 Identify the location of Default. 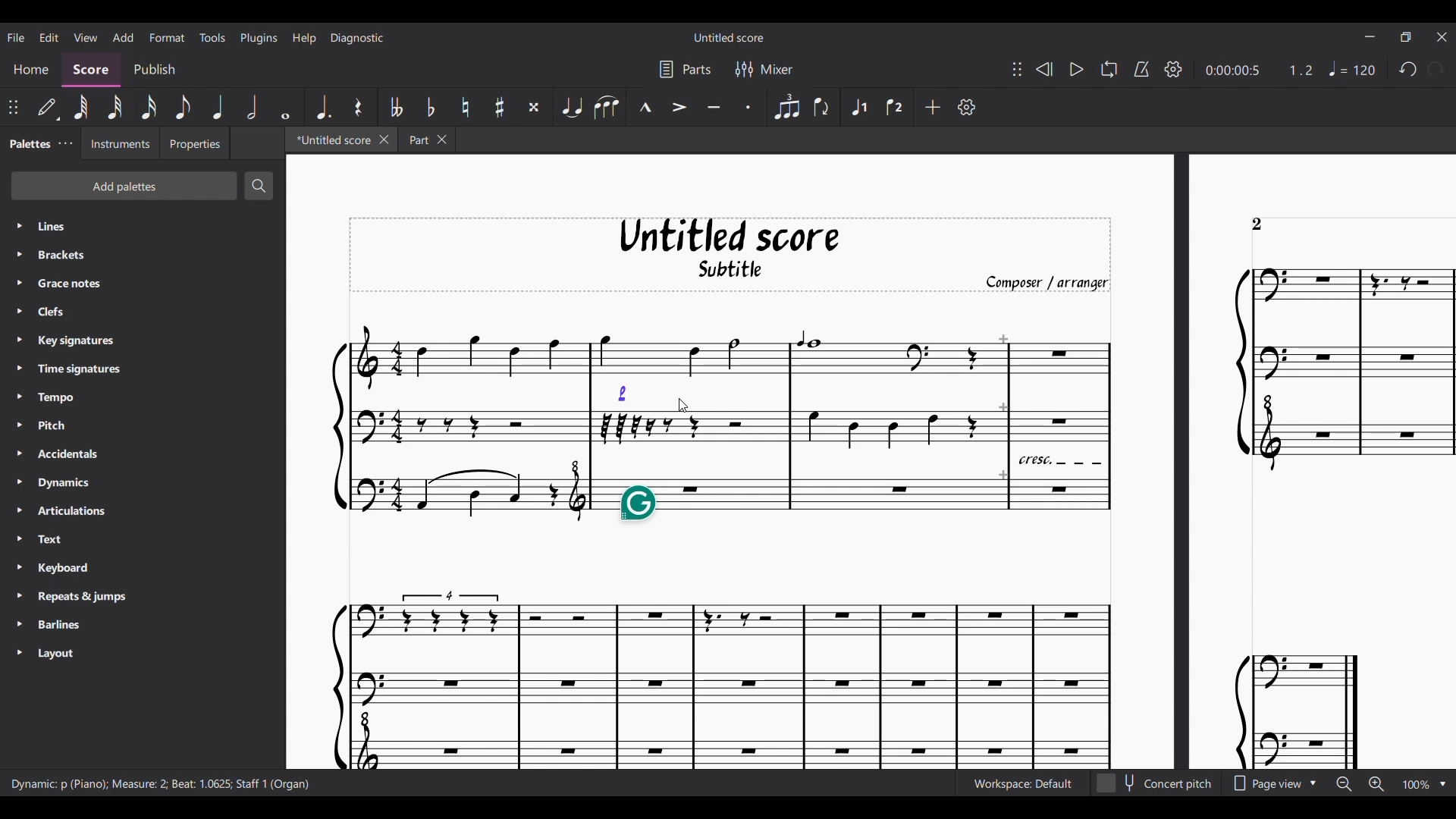
(48, 108).